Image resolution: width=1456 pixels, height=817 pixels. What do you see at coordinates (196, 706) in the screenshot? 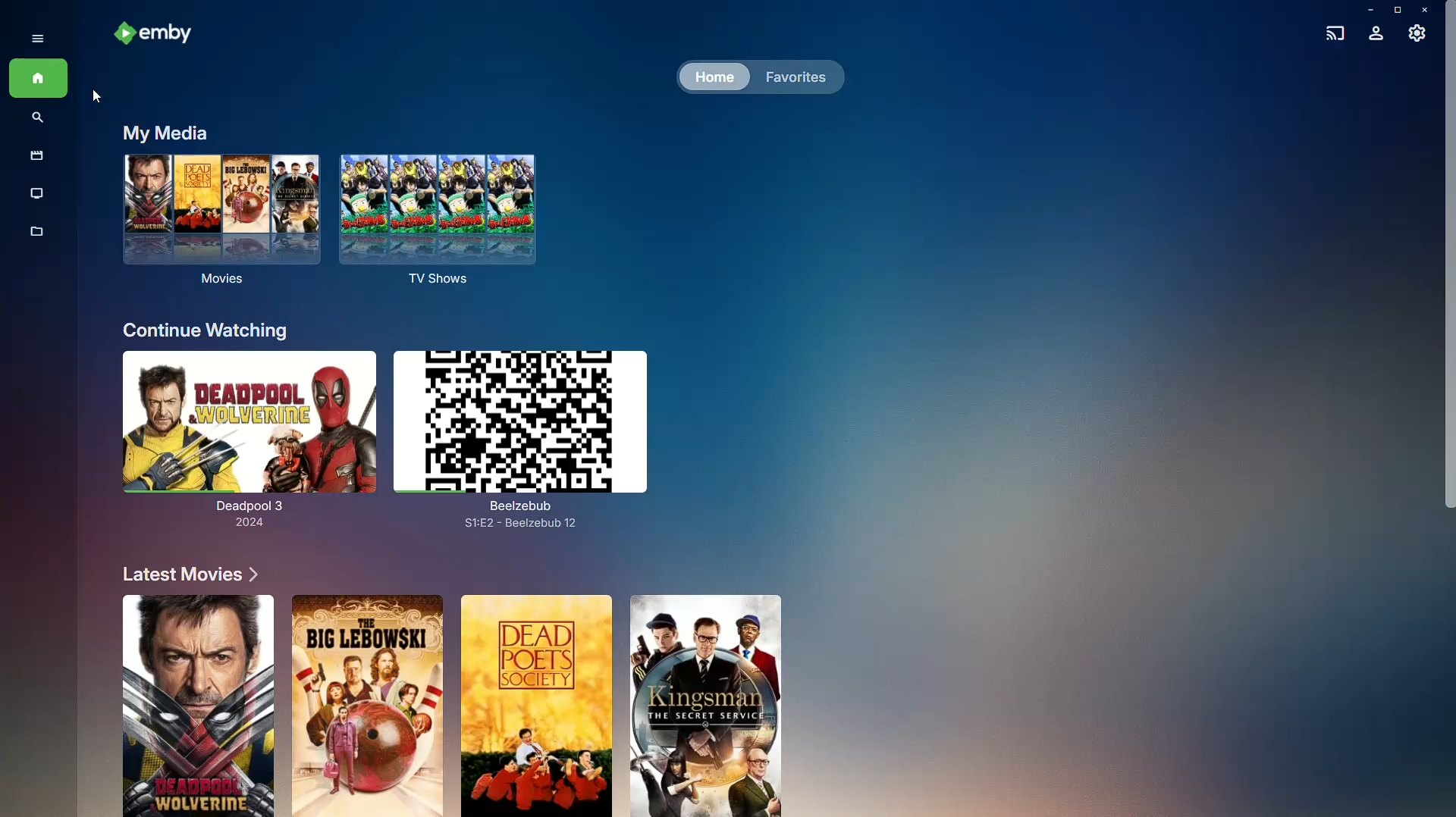
I see `` at bounding box center [196, 706].